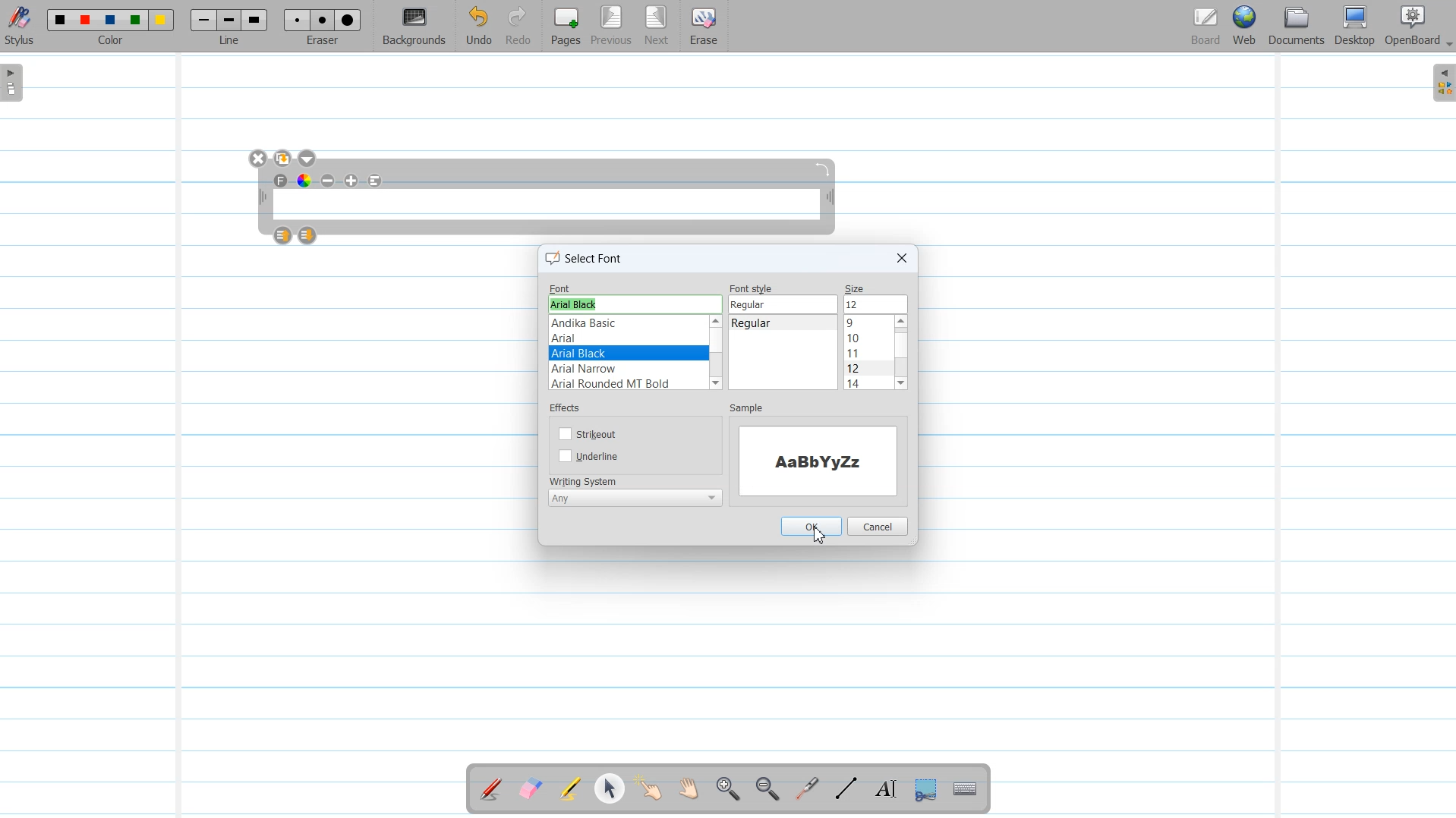 The image size is (1456, 818). I want to click on Board, so click(1205, 27).